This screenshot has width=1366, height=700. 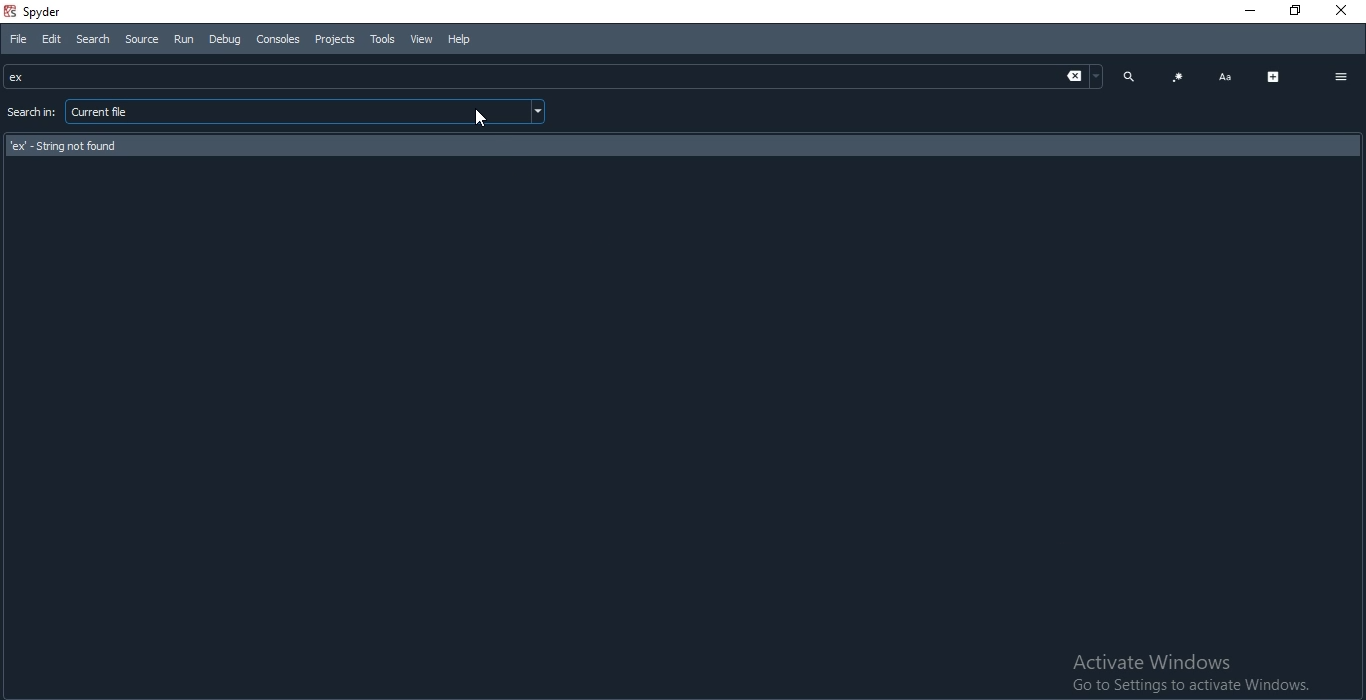 What do you see at coordinates (334, 40) in the screenshot?
I see `Projects` at bounding box center [334, 40].